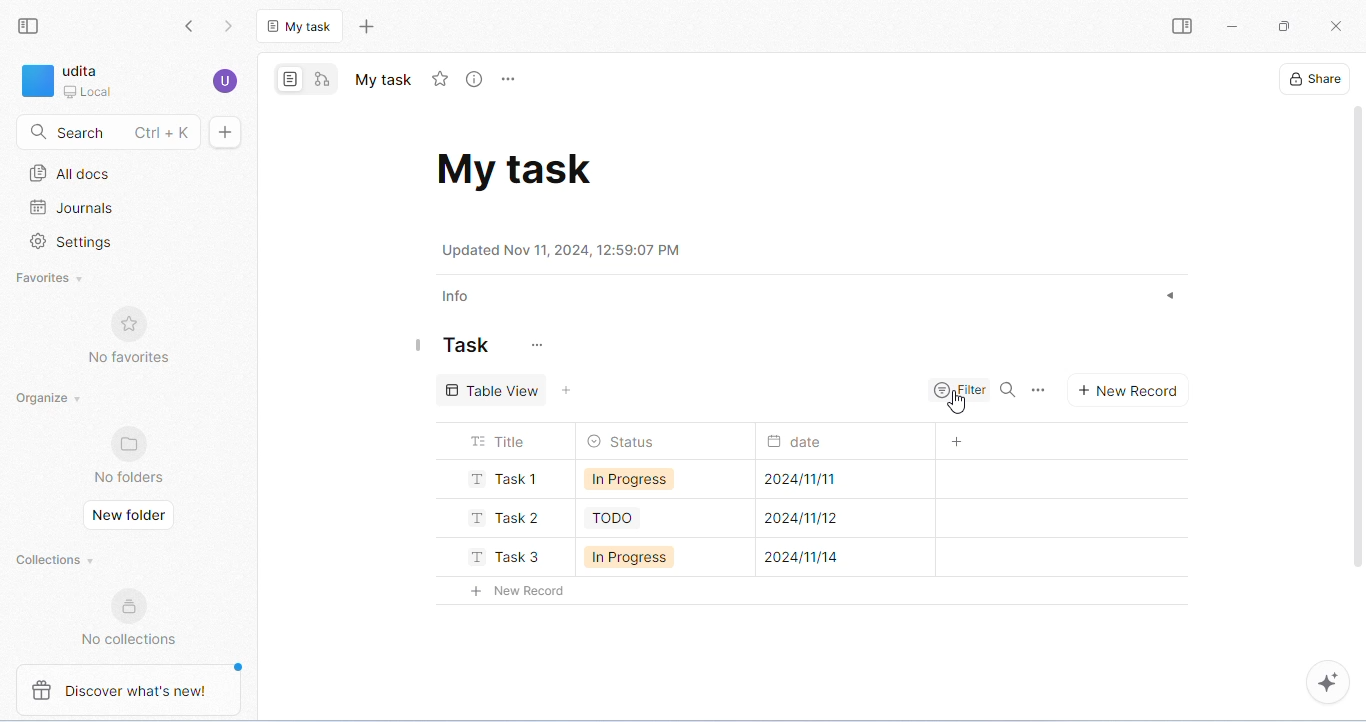 The height and width of the screenshot is (722, 1366). What do you see at coordinates (534, 346) in the screenshot?
I see `customize task` at bounding box center [534, 346].